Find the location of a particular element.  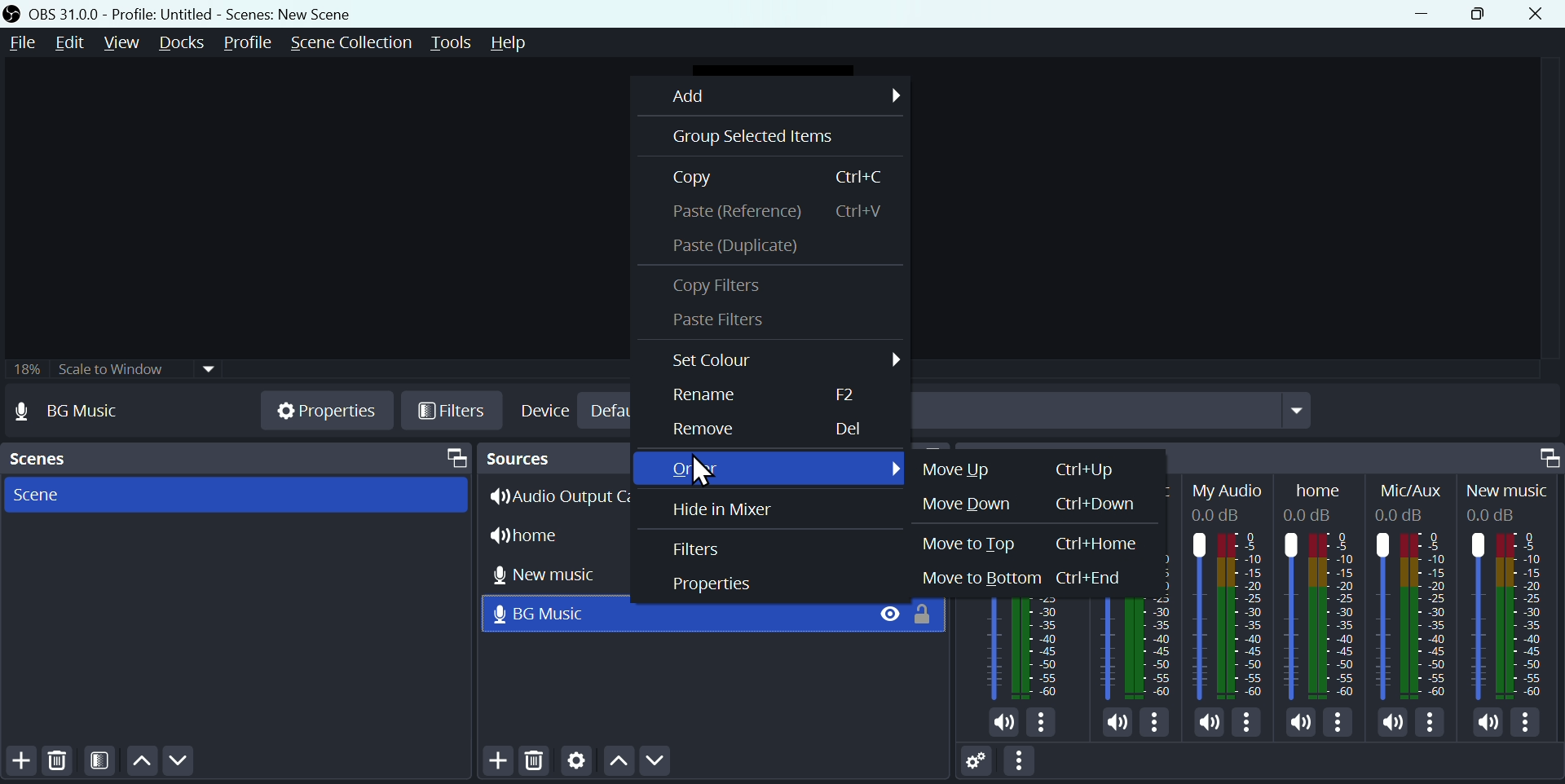

More is located at coordinates (1153, 719).